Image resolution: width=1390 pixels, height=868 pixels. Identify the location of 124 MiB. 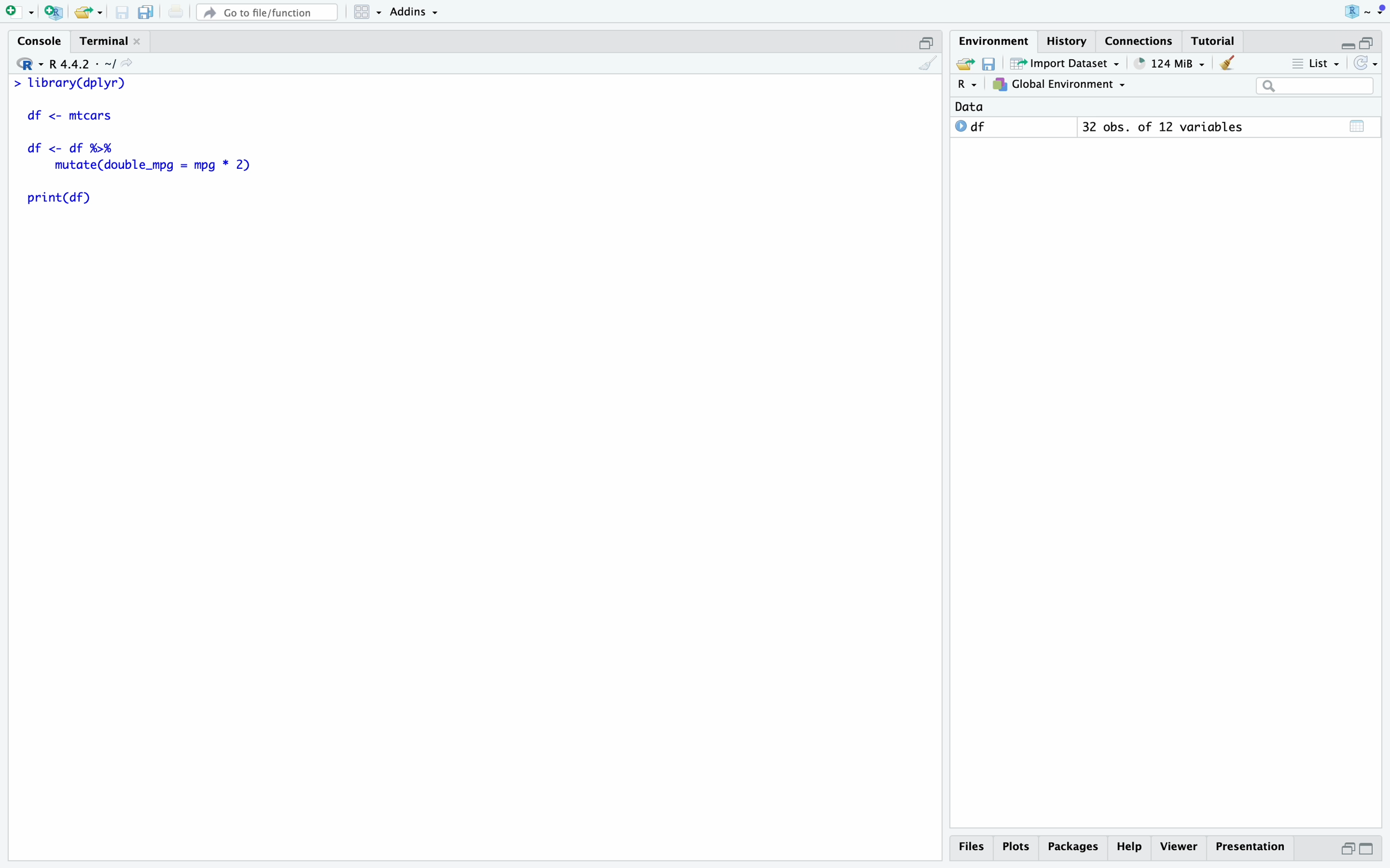
(1171, 64).